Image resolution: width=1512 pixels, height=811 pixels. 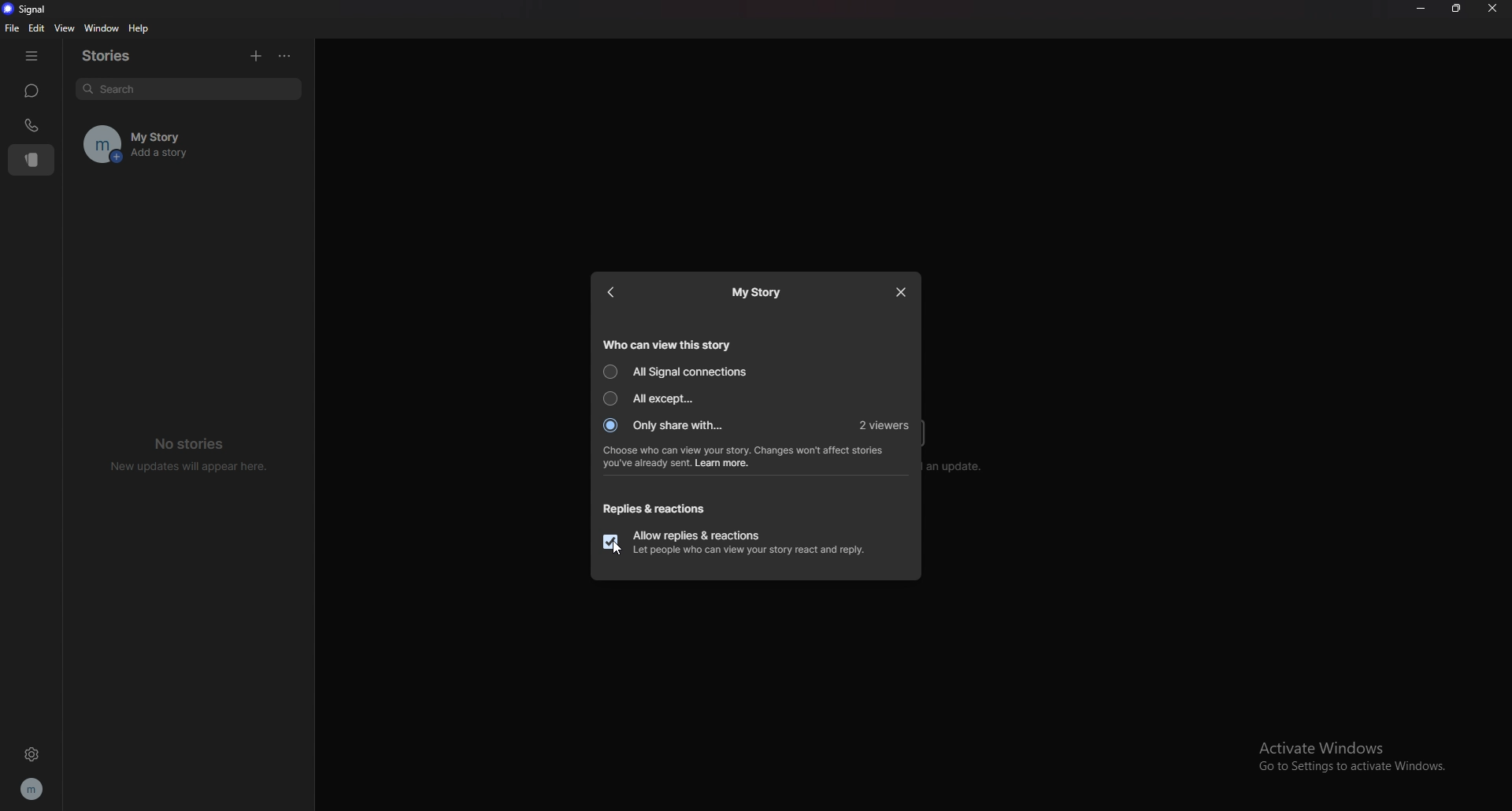 What do you see at coordinates (759, 292) in the screenshot?
I see `my story` at bounding box center [759, 292].